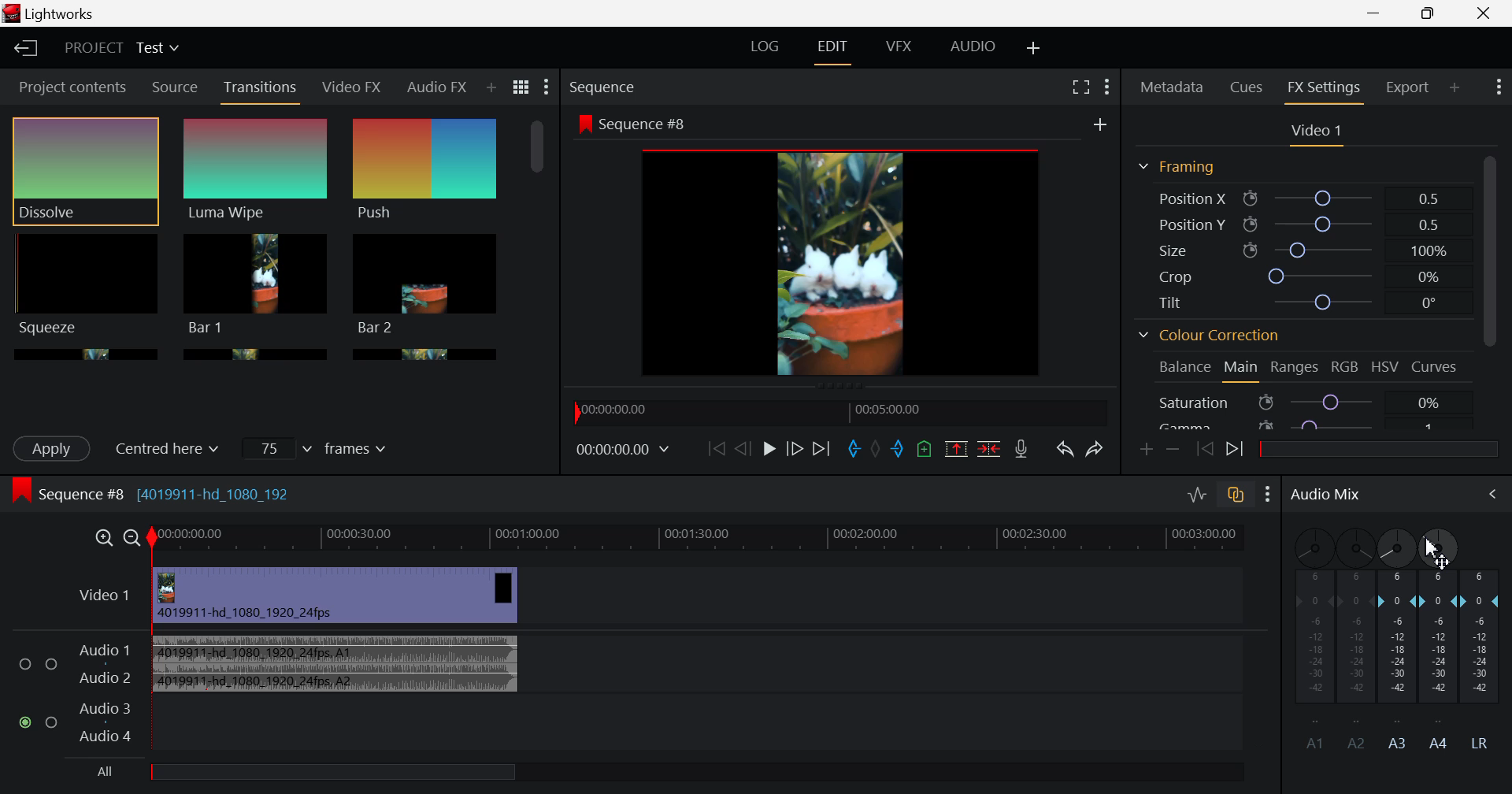 Image resolution: width=1512 pixels, height=794 pixels. What do you see at coordinates (1295, 368) in the screenshot?
I see `Ranges` at bounding box center [1295, 368].